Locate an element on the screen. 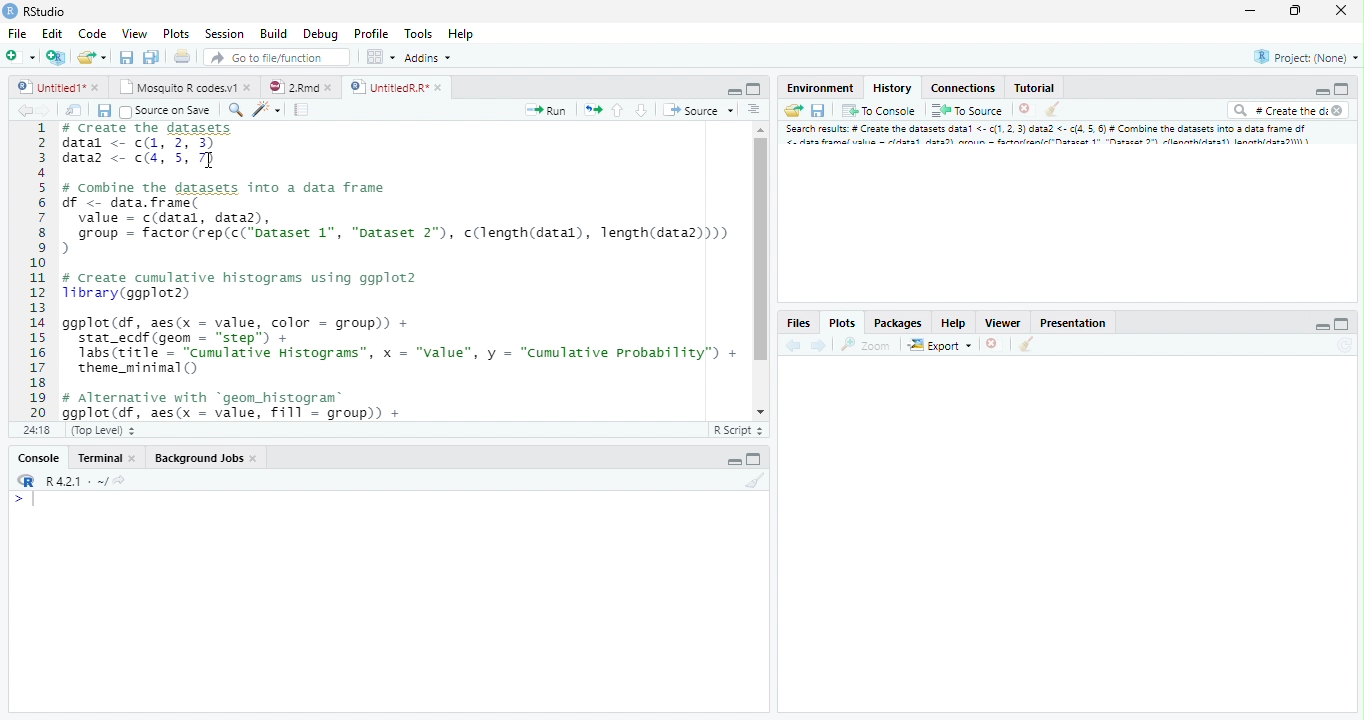  Clear console is located at coordinates (1055, 111).